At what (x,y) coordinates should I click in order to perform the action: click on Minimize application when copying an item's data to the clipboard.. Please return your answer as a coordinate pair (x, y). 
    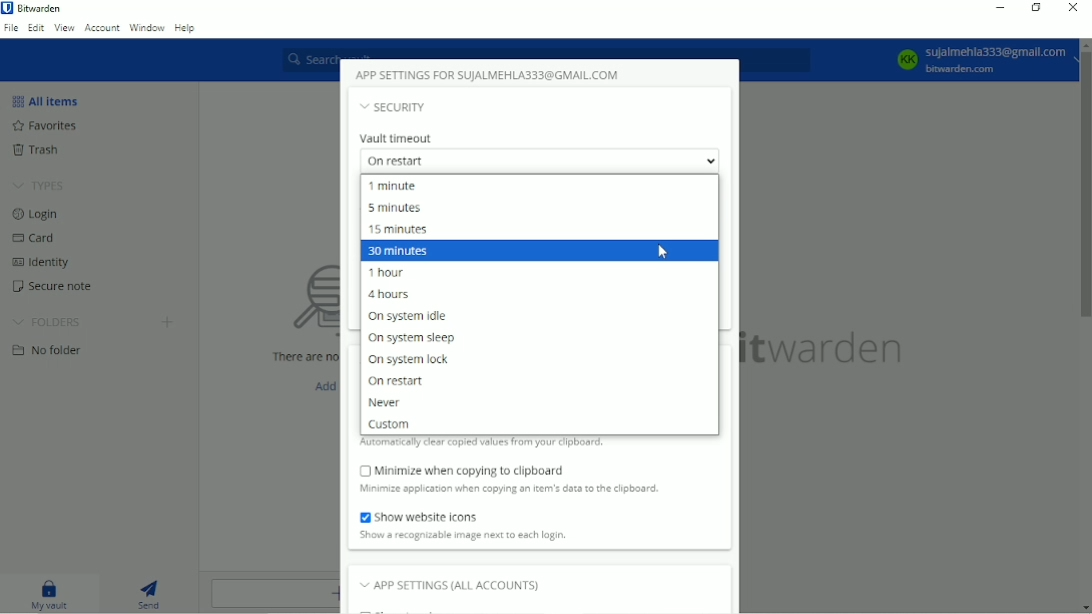
    Looking at the image, I should click on (509, 489).